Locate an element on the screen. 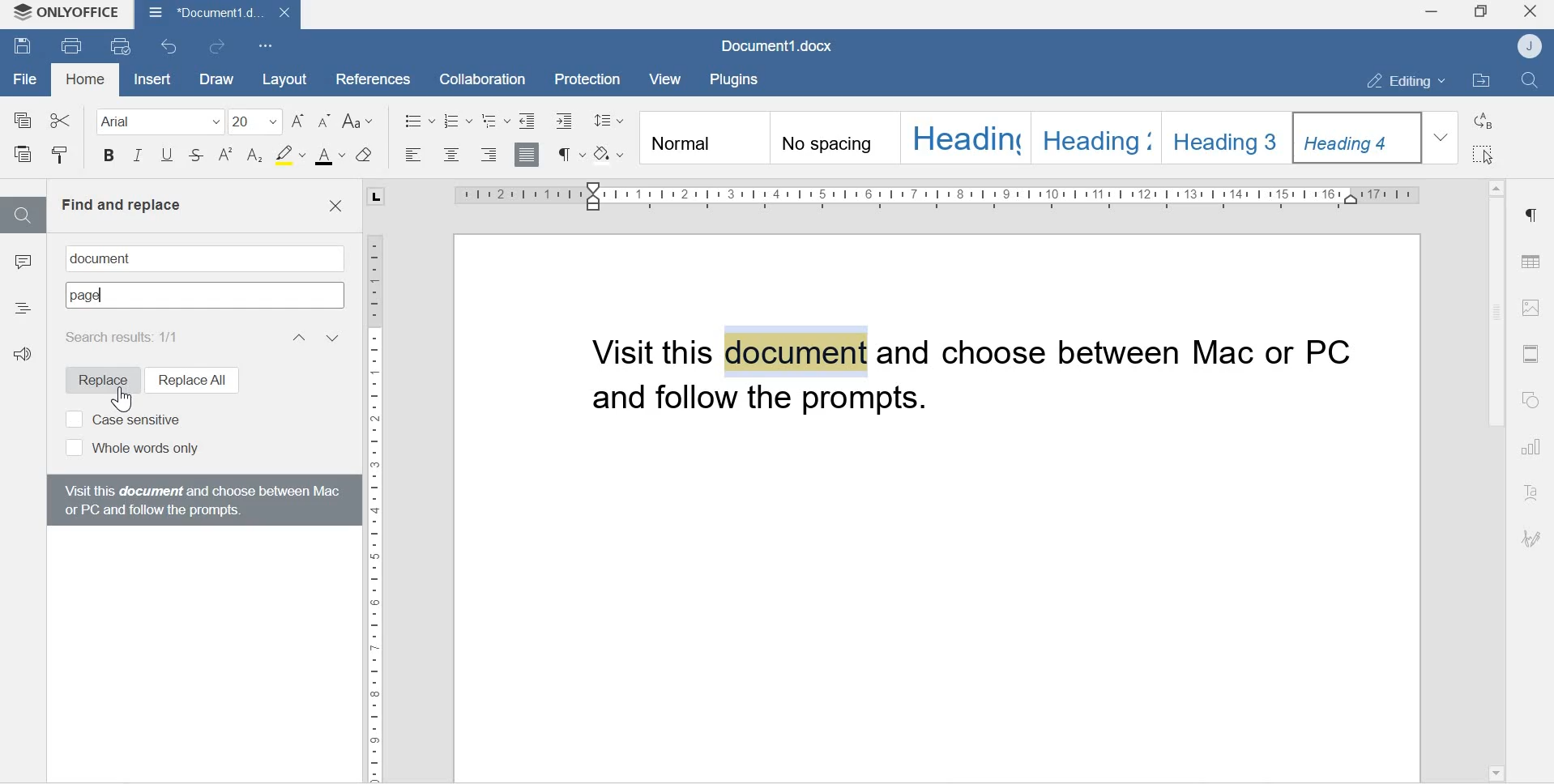 Image resolution: width=1554 pixels, height=784 pixels. Homd is located at coordinates (86, 81).